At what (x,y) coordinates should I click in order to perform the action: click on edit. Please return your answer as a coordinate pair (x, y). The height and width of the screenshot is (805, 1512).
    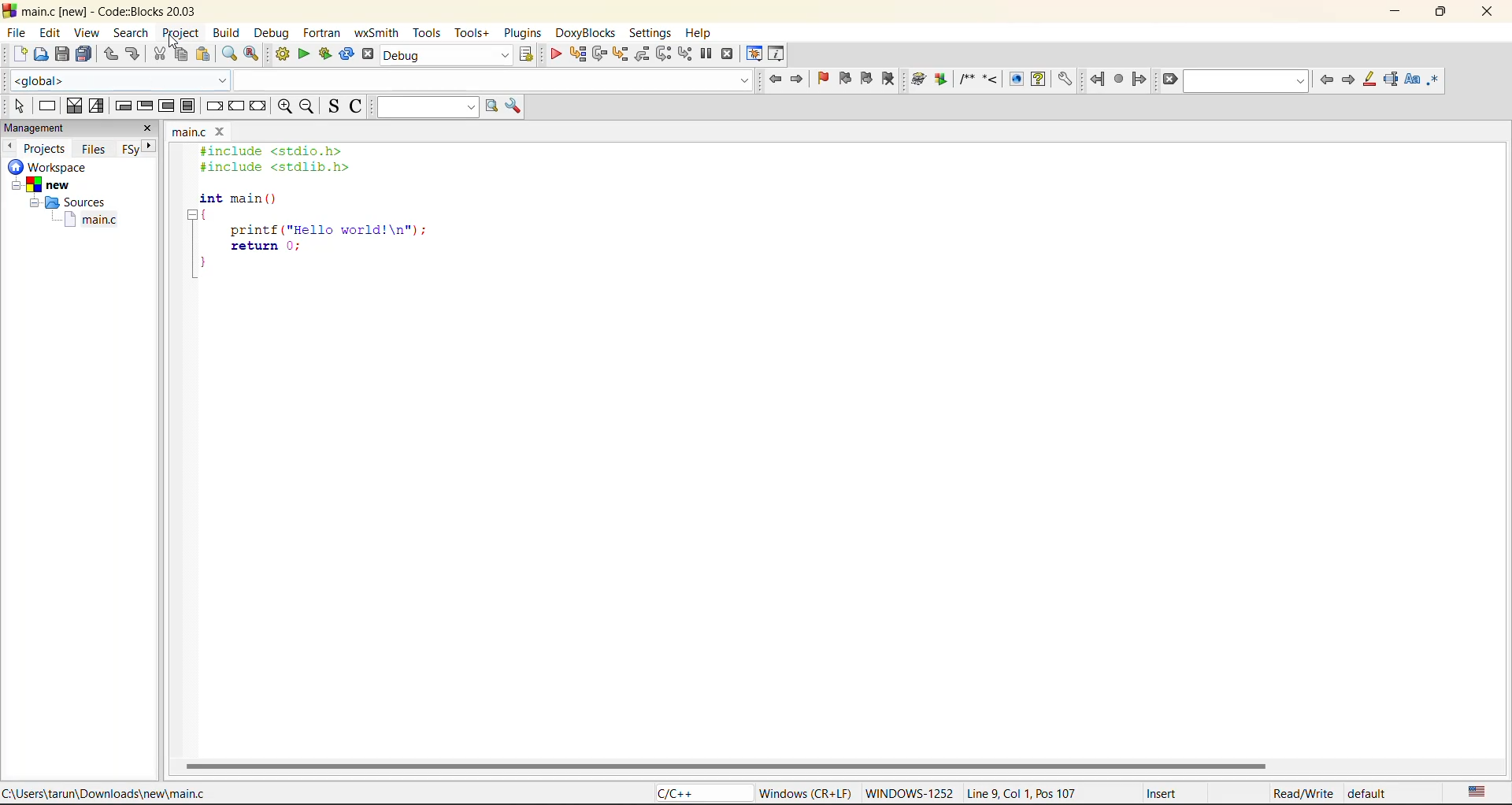
    Looking at the image, I should click on (50, 33).